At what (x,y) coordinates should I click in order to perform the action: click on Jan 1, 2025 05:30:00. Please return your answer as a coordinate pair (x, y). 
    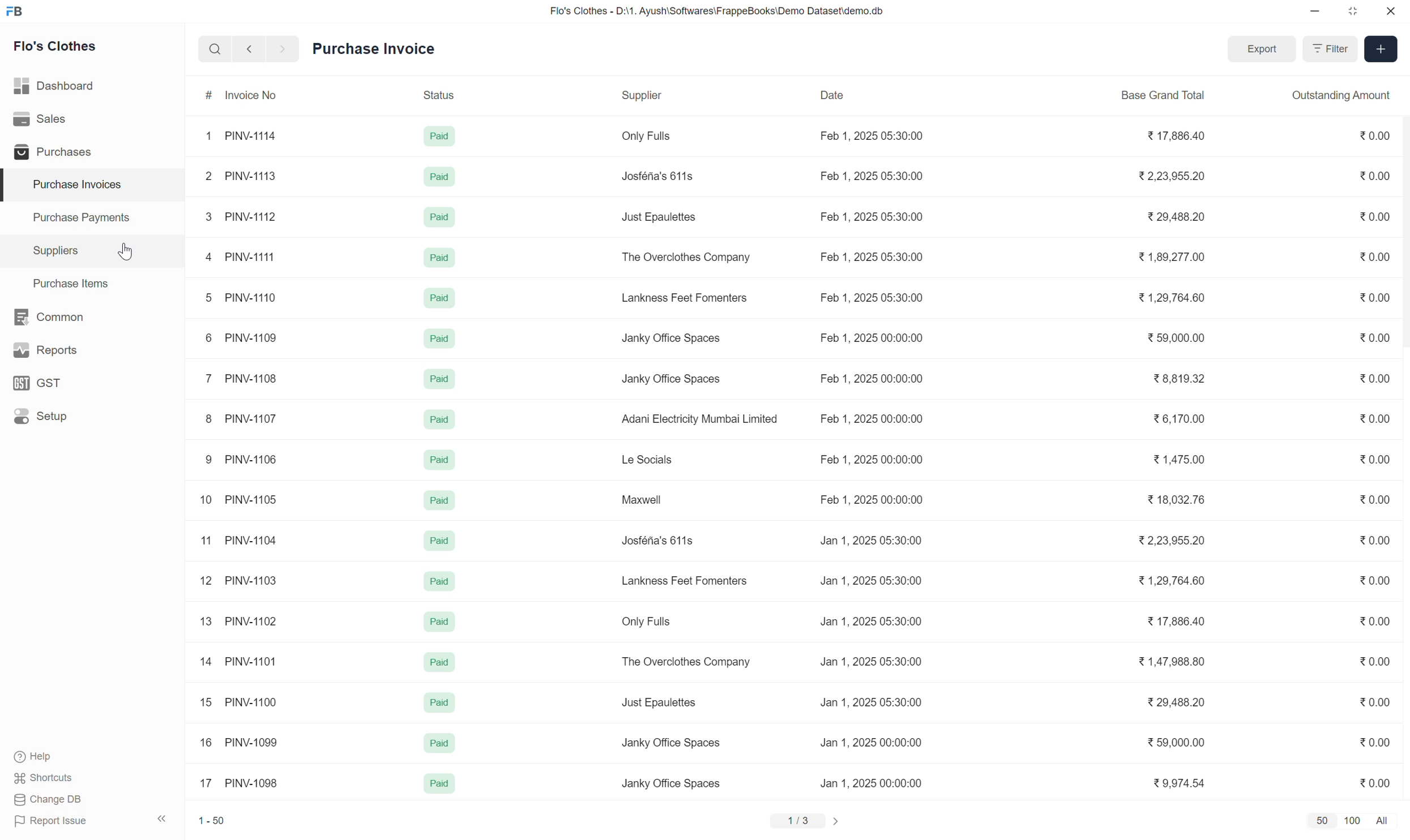
    Looking at the image, I should click on (871, 581).